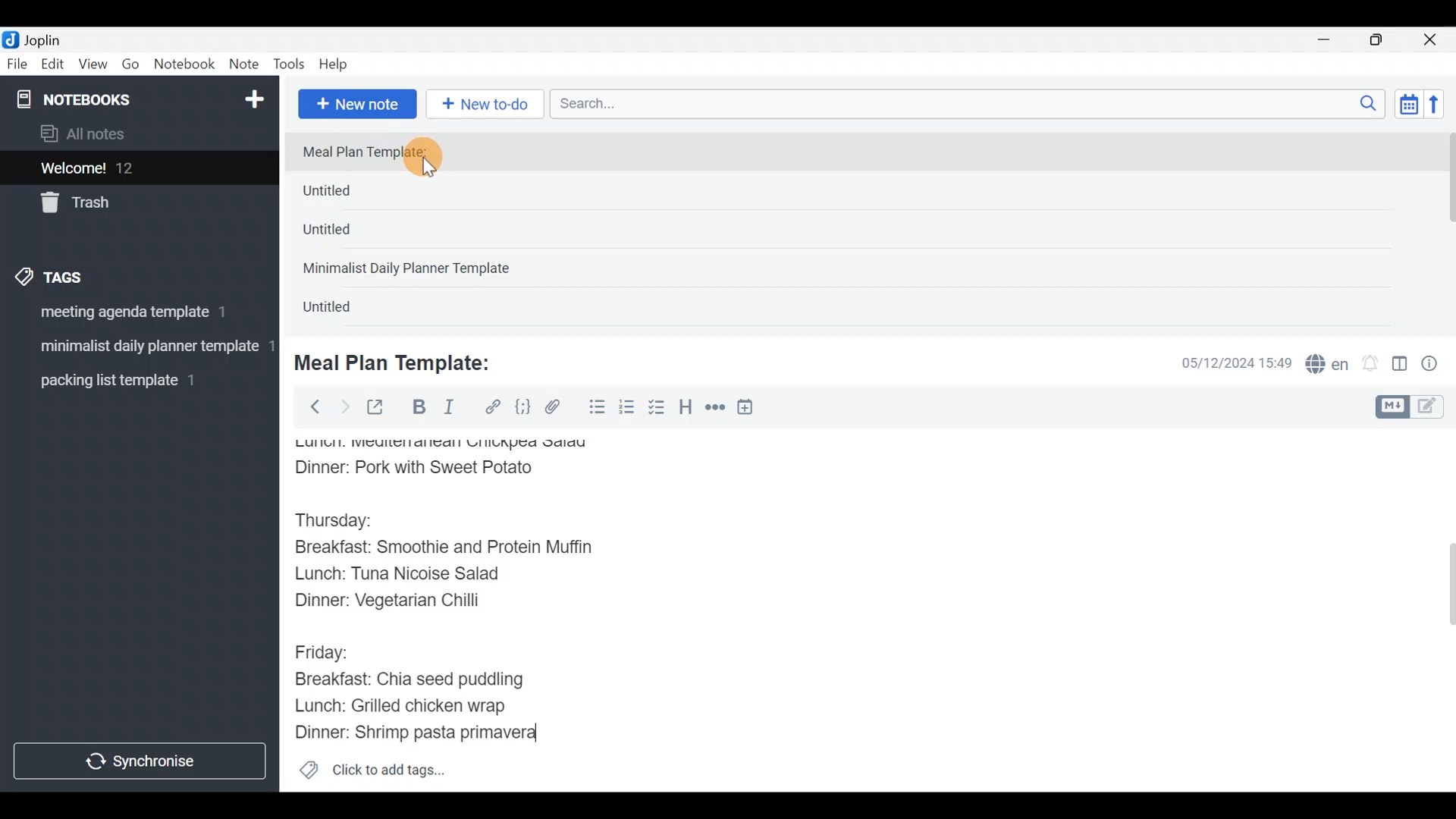 The image size is (1456, 819). What do you see at coordinates (1432, 41) in the screenshot?
I see `Close` at bounding box center [1432, 41].